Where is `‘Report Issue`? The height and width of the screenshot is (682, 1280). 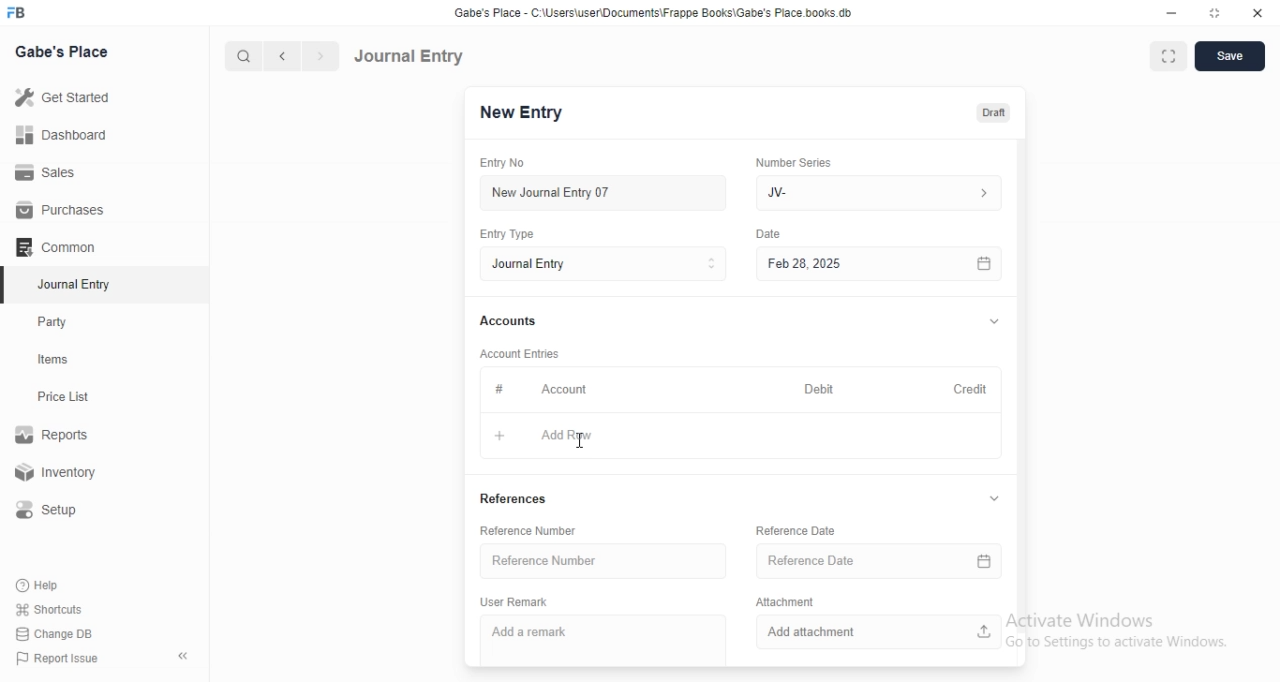
‘Report Issue is located at coordinates (55, 658).